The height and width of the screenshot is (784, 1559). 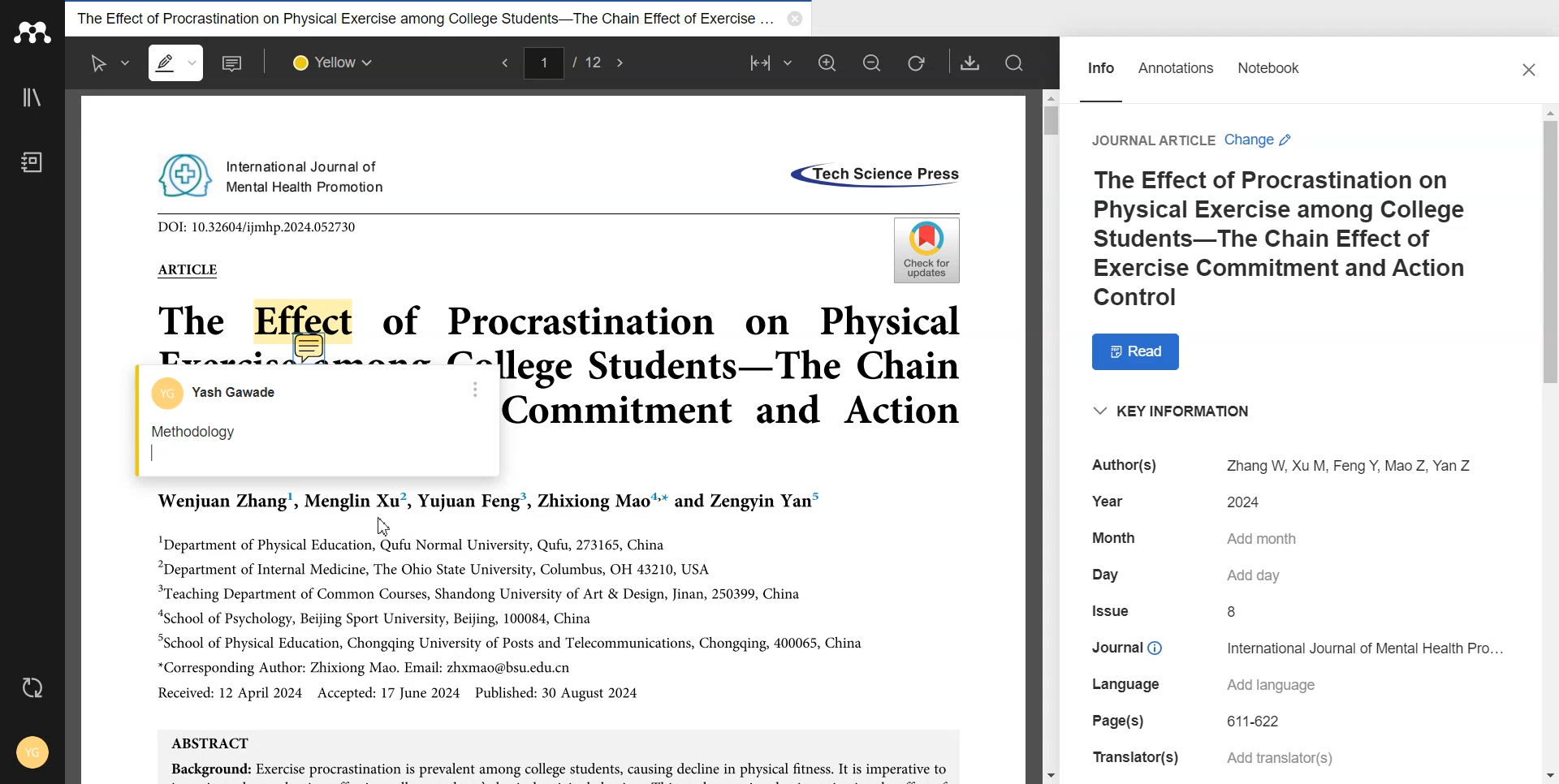 What do you see at coordinates (383, 525) in the screenshot?
I see `Cursor` at bounding box center [383, 525].